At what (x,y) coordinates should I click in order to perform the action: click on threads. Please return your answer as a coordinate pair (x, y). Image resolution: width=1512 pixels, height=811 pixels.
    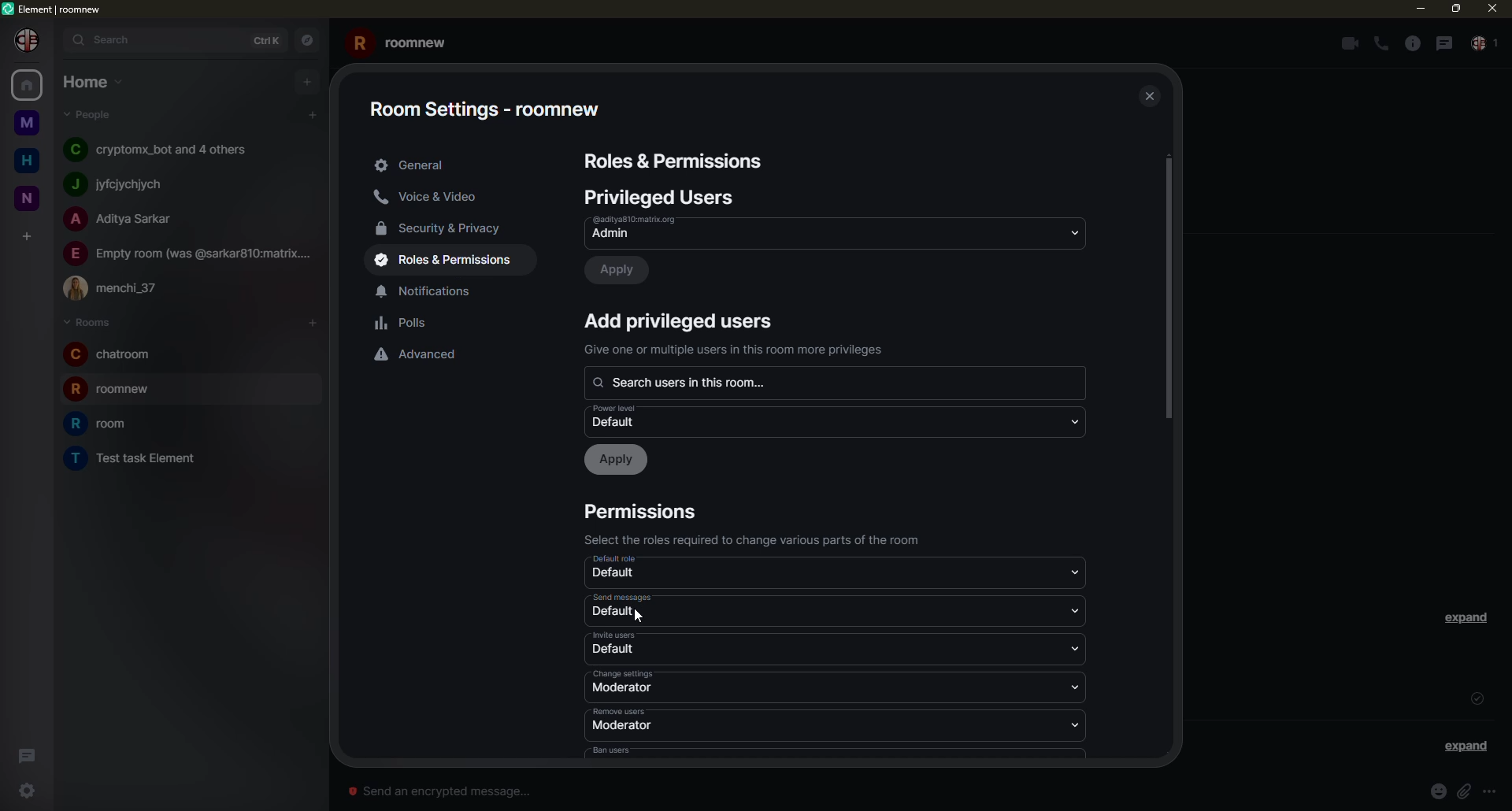
    Looking at the image, I should click on (1443, 43).